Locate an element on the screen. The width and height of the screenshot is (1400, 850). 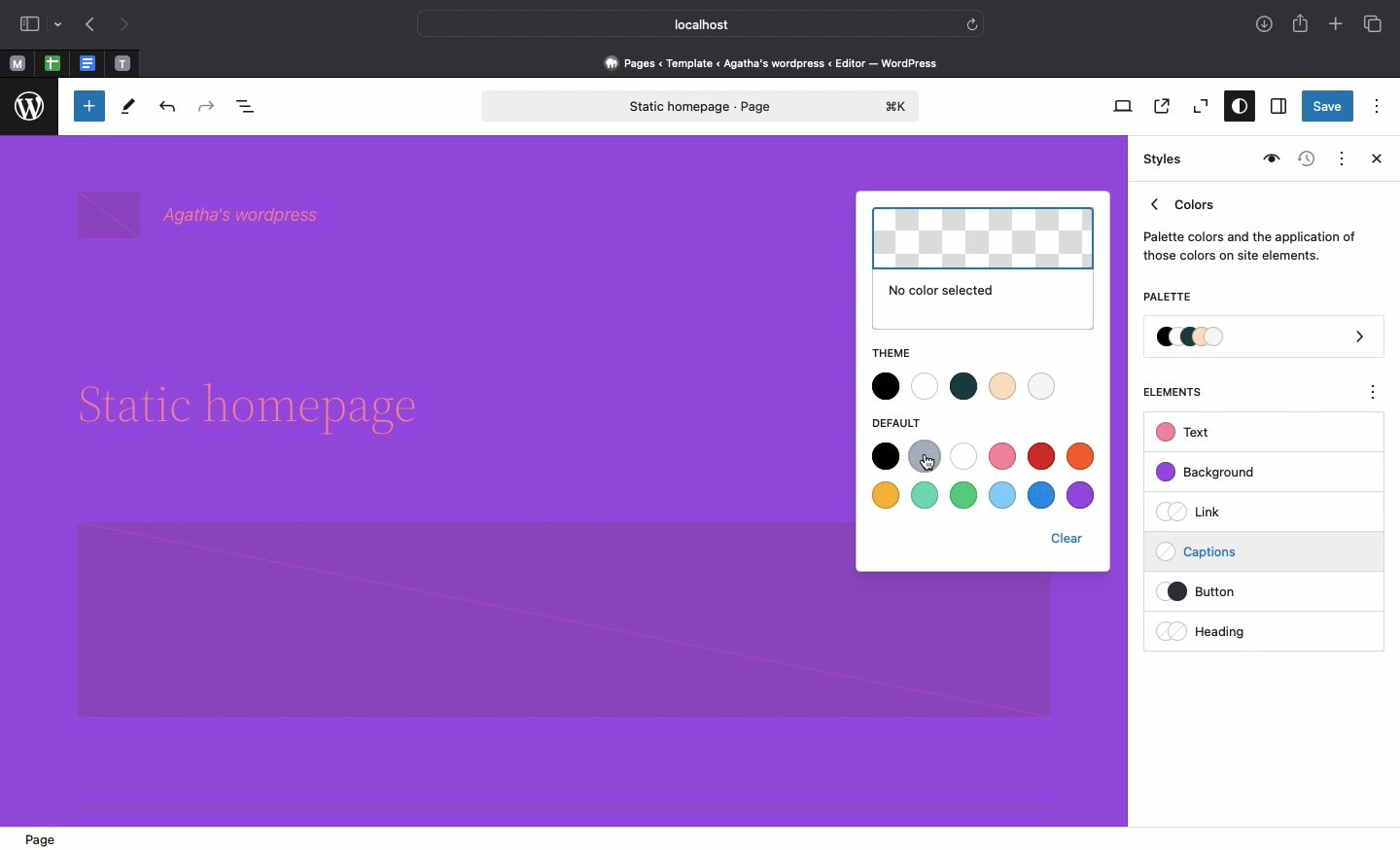
Button is located at coordinates (1214, 591).